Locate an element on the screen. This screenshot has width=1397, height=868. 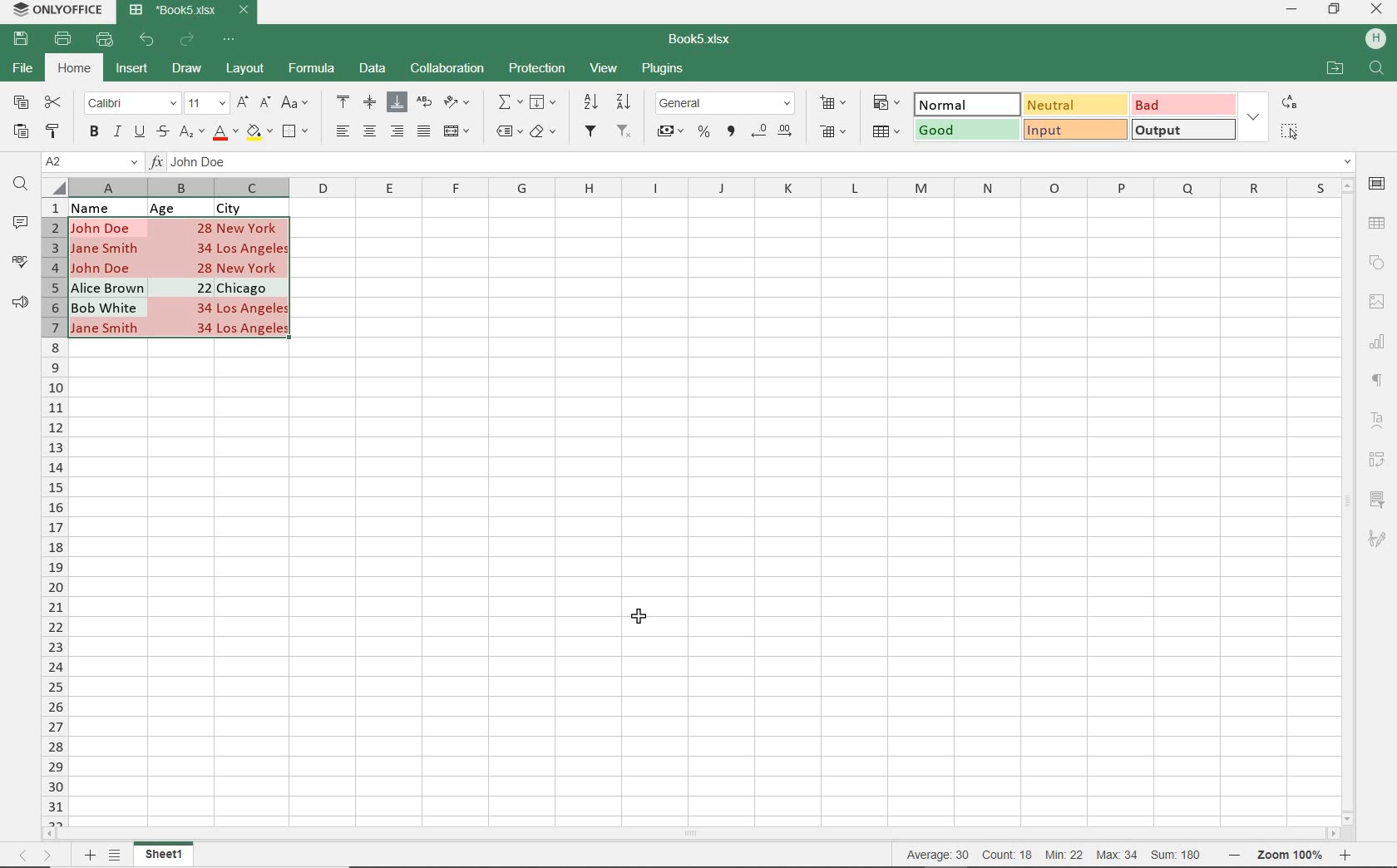
VIEW is located at coordinates (605, 67).